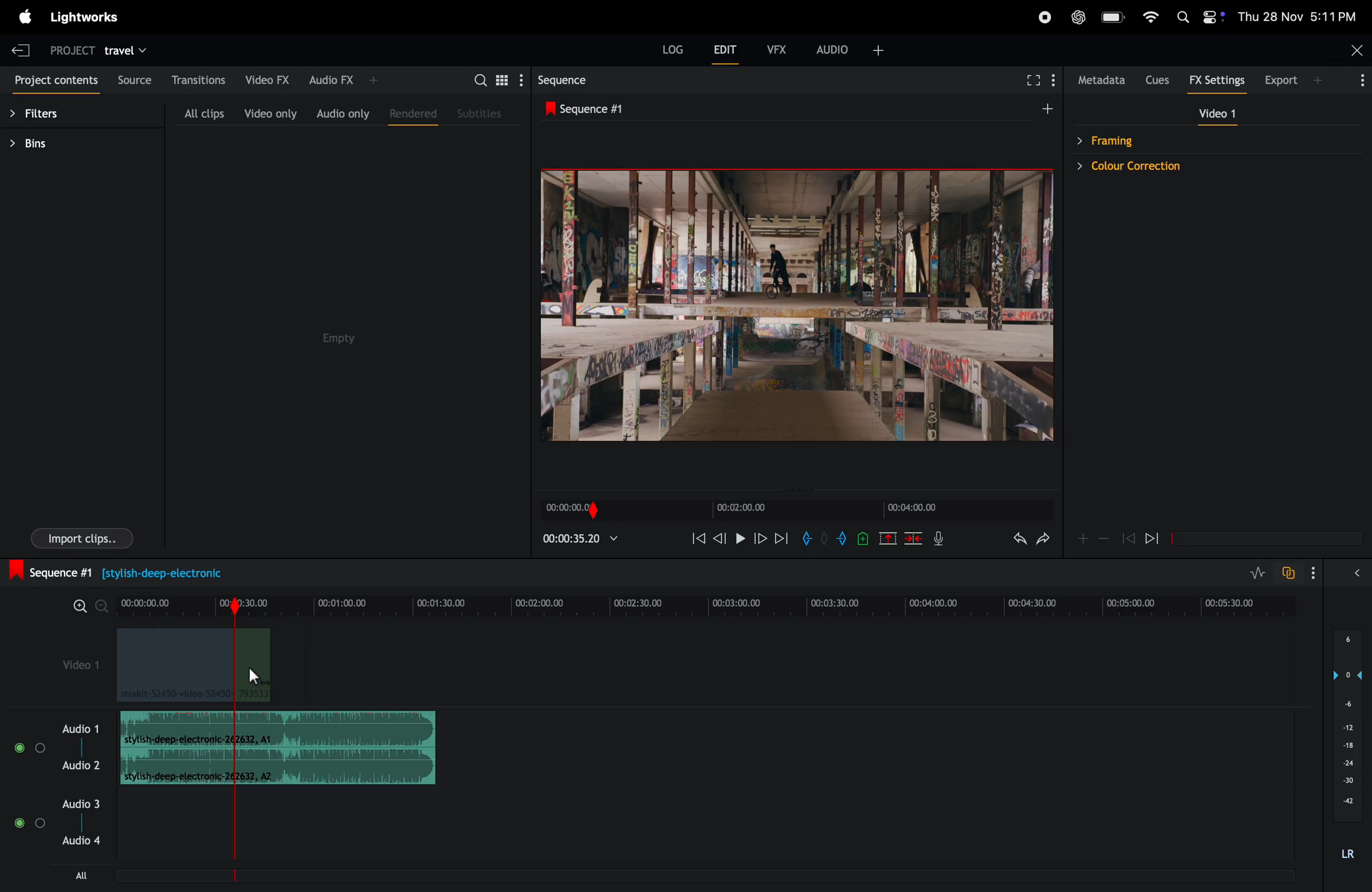  What do you see at coordinates (1297, 16) in the screenshot?
I see `date and time` at bounding box center [1297, 16].